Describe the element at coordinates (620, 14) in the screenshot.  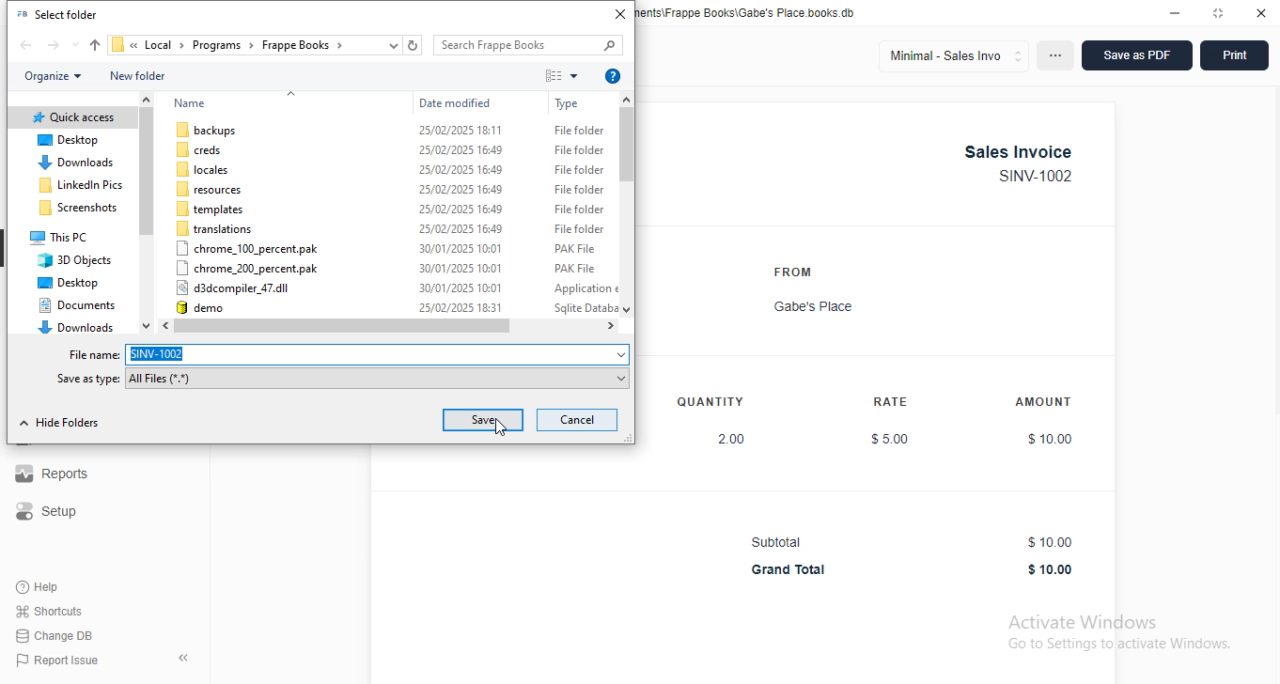
I see `close` at that location.